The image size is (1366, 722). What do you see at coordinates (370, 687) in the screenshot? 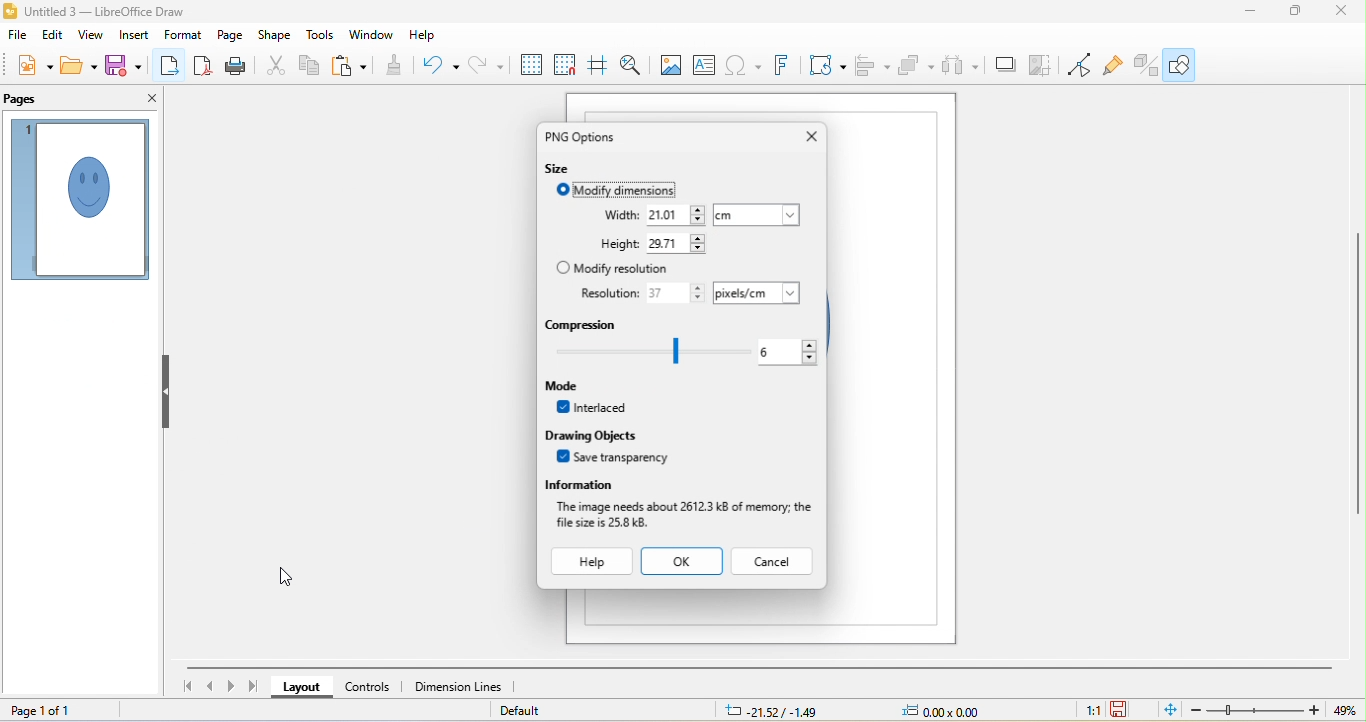
I see `controls` at bounding box center [370, 687].